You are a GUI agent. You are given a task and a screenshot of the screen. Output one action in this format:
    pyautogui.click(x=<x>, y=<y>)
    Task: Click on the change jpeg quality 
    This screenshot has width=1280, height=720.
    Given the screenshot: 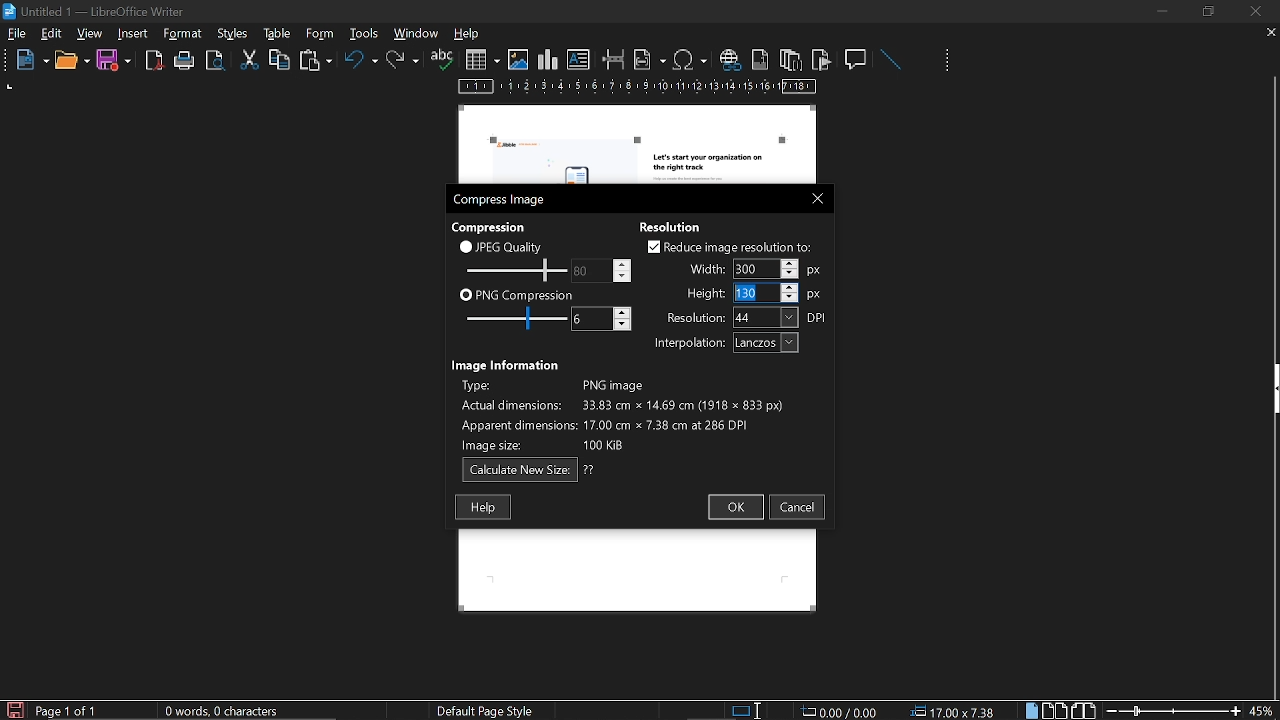 What is the action you would take?
    pyautogui.click(x=602, y=270)
    